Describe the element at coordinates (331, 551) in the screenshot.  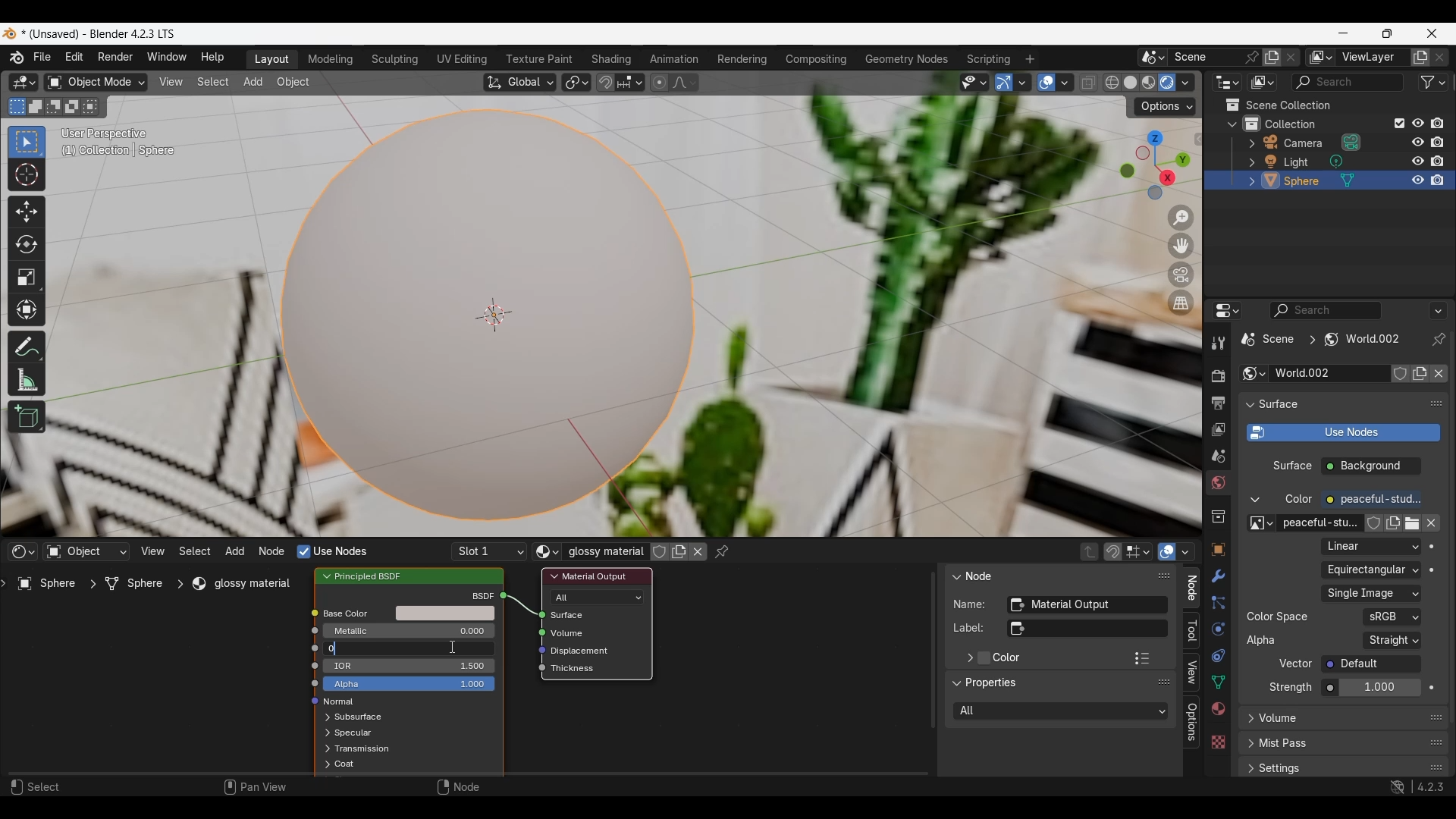
I see `Nodes to render material` at that location.